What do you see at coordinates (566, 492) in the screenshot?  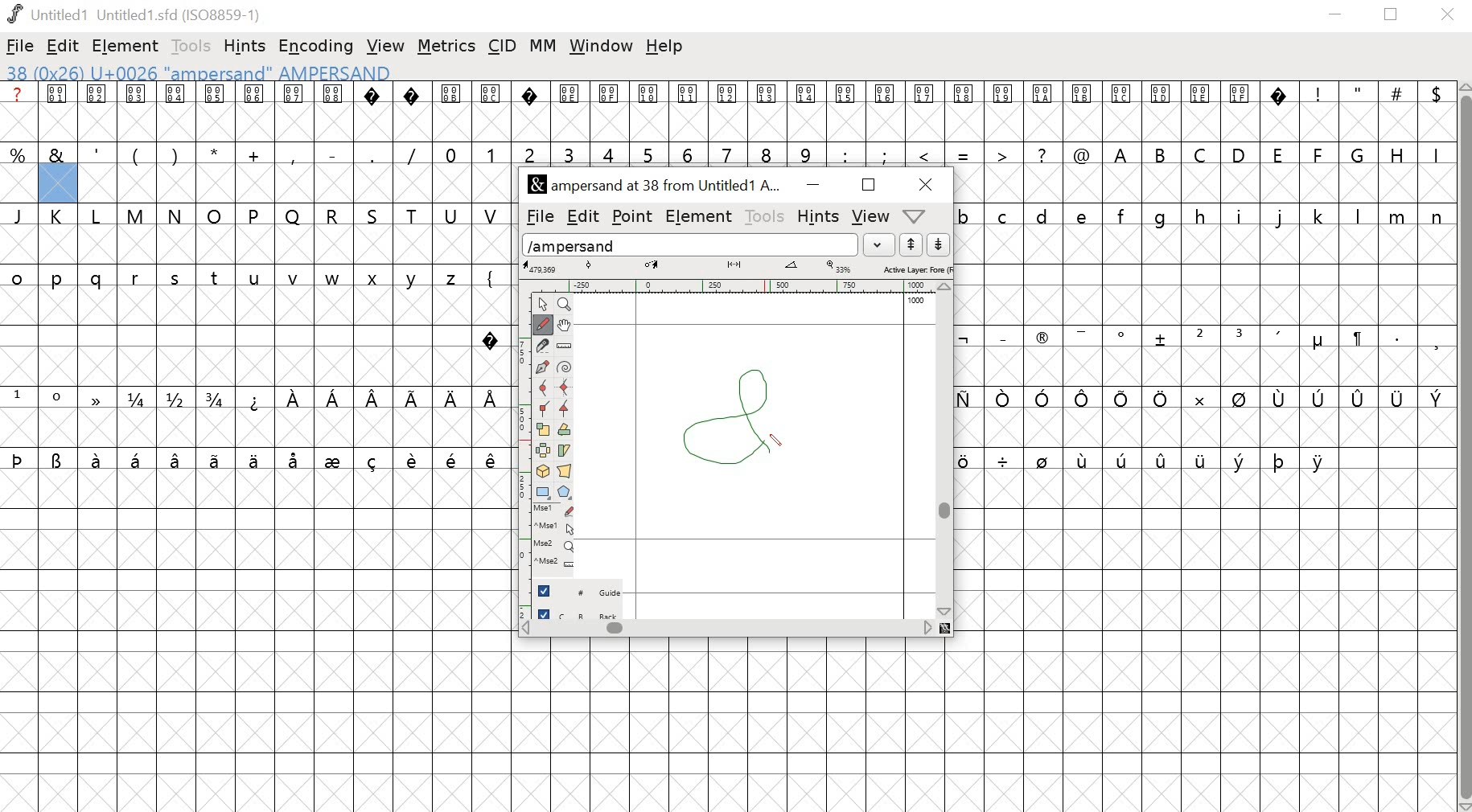 I see `polygon and stars` at bounding box center [566, 492].